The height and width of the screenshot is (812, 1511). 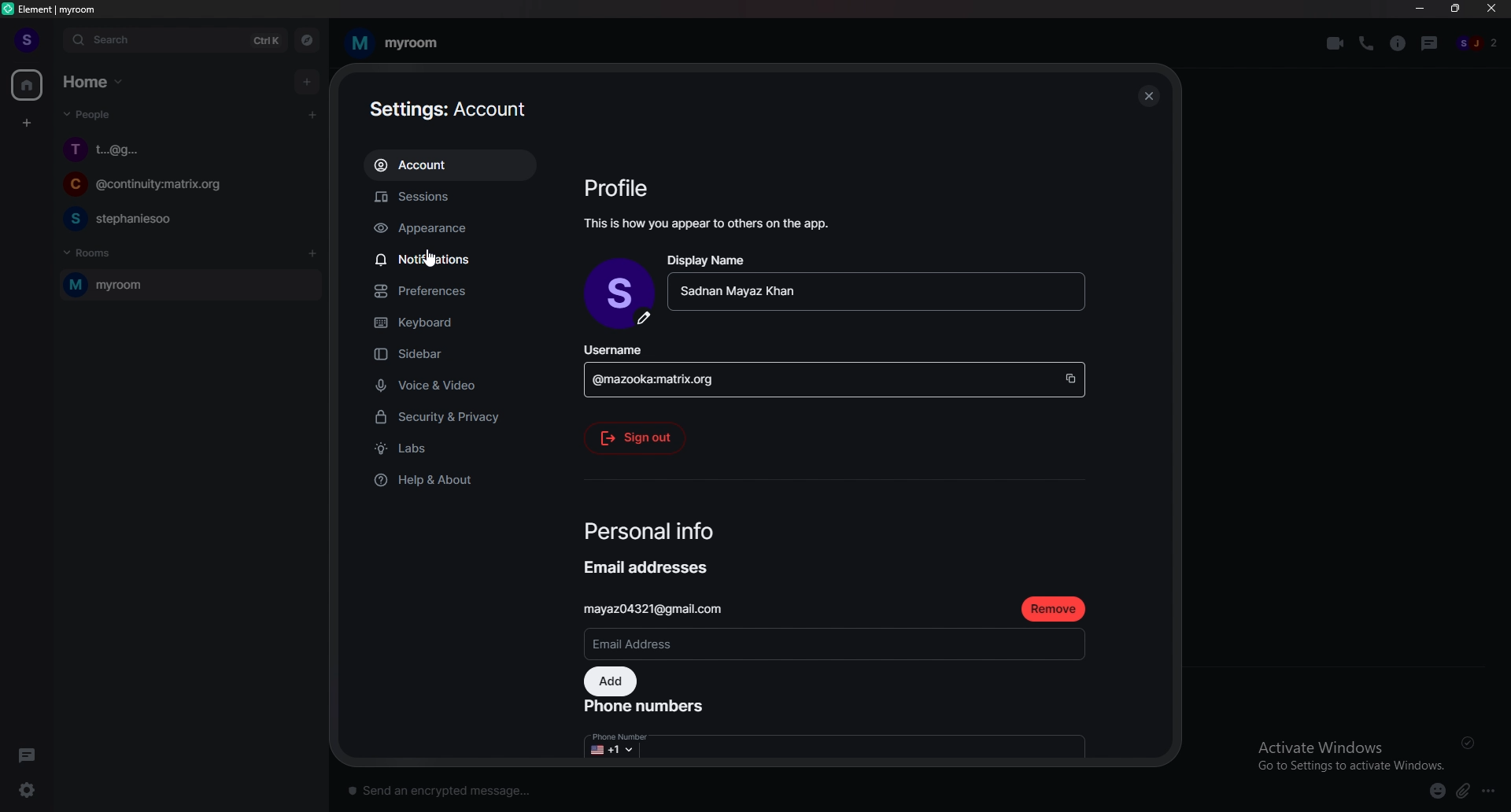 I want to click on voice and video, so click(x=467, y=384).